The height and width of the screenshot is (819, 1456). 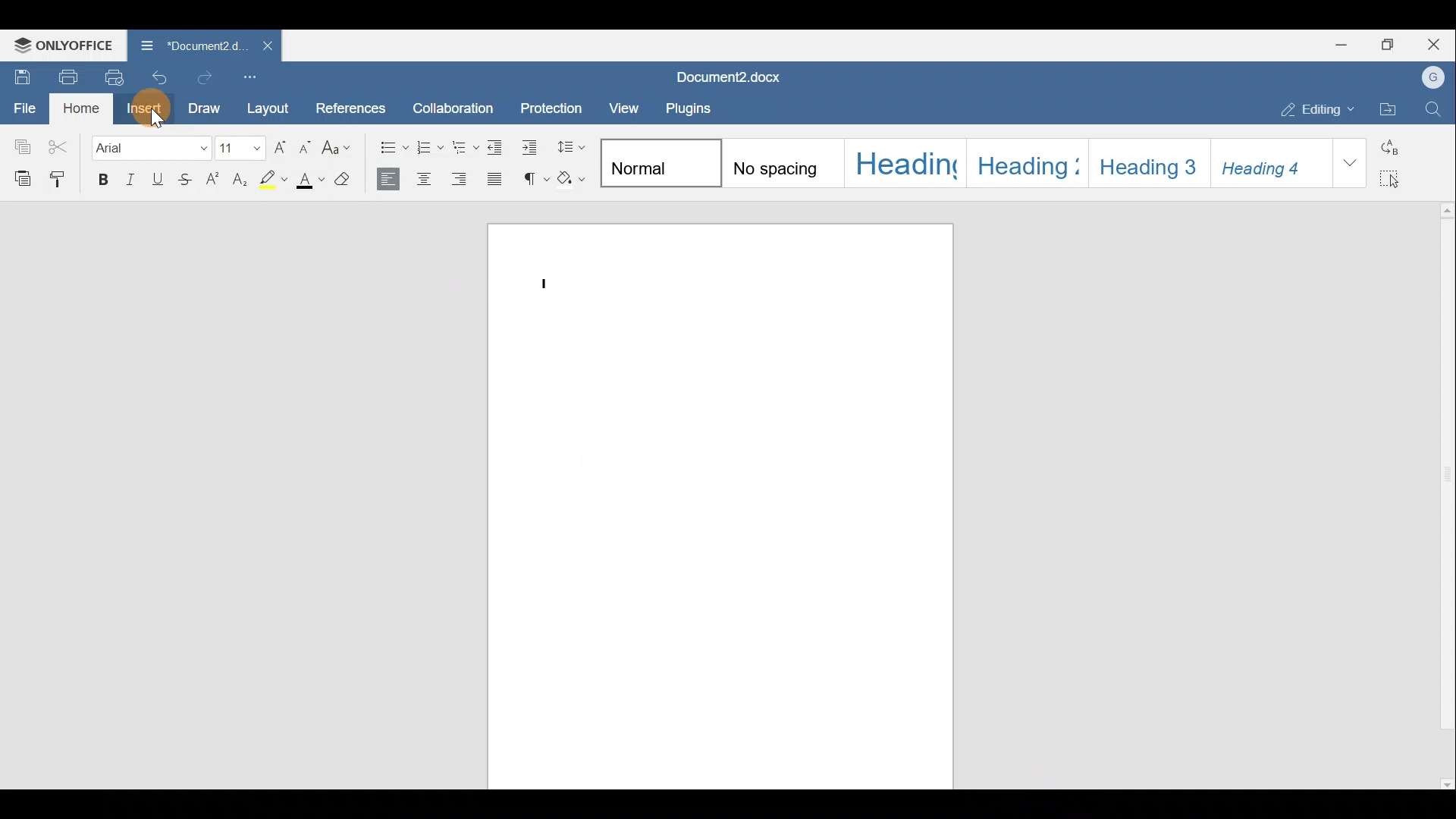 I want to click on Increase font size, so click(x=284, y=145).